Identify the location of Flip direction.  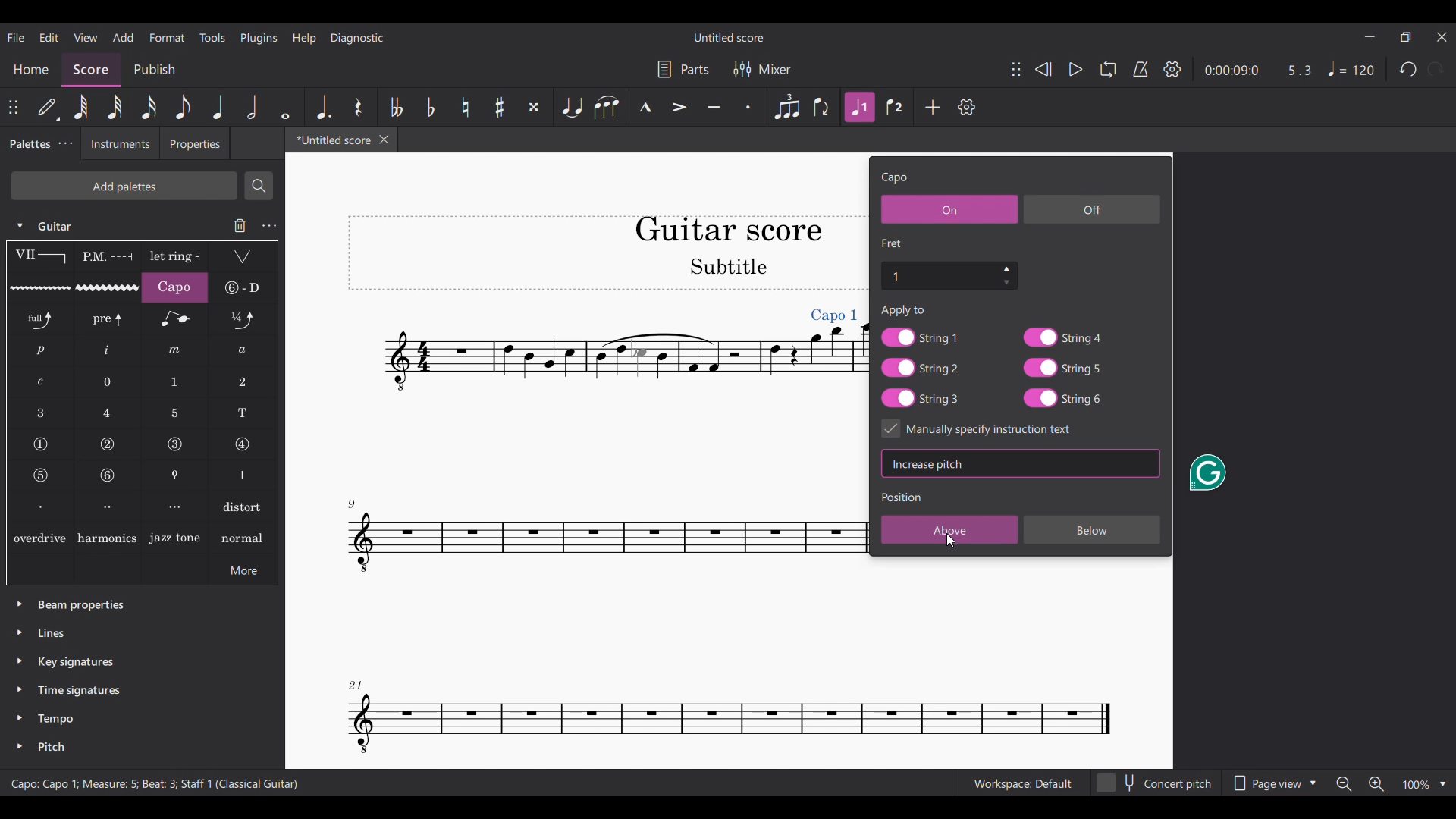
(823, 107).